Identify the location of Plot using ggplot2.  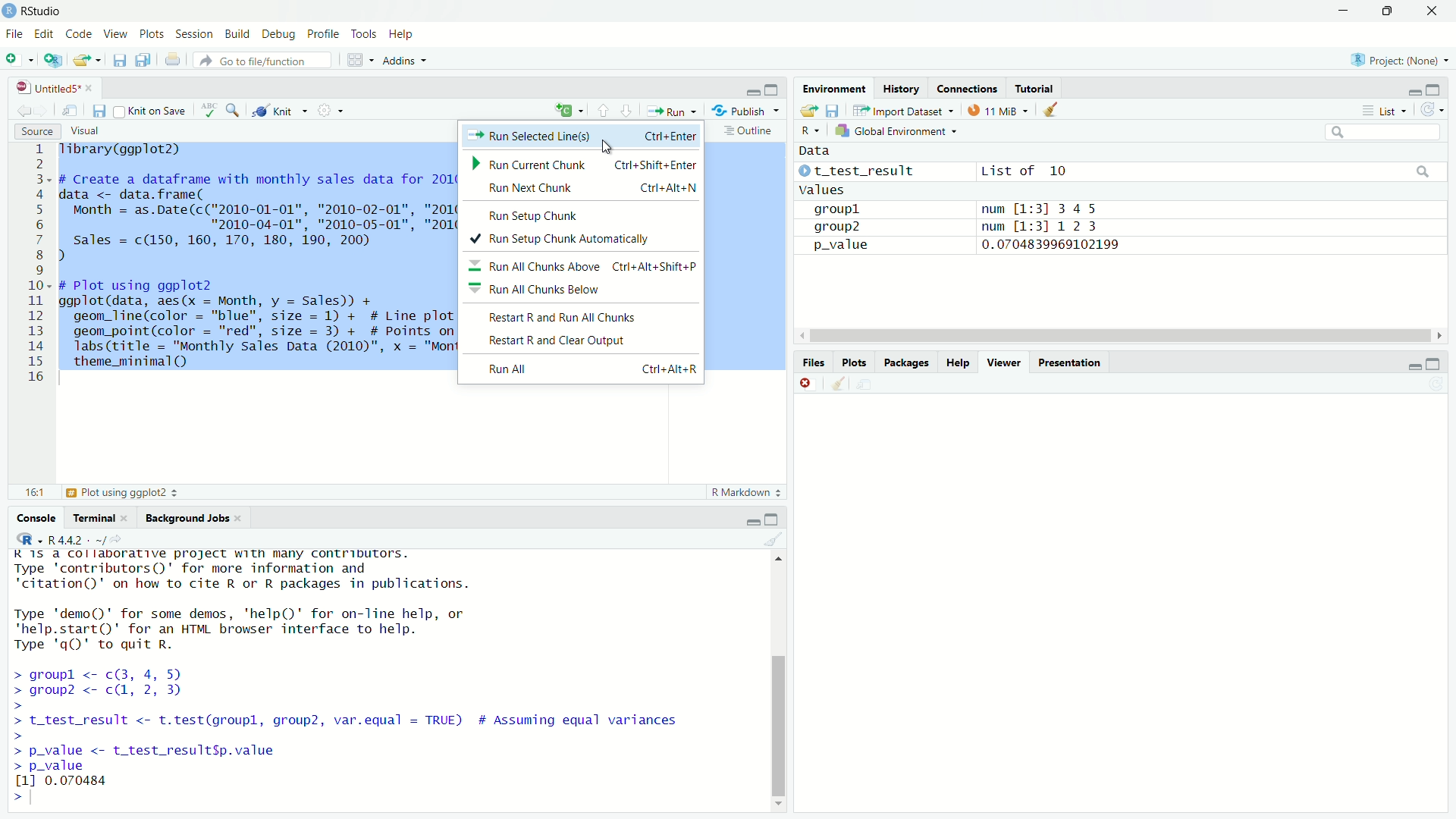
(121, 492).